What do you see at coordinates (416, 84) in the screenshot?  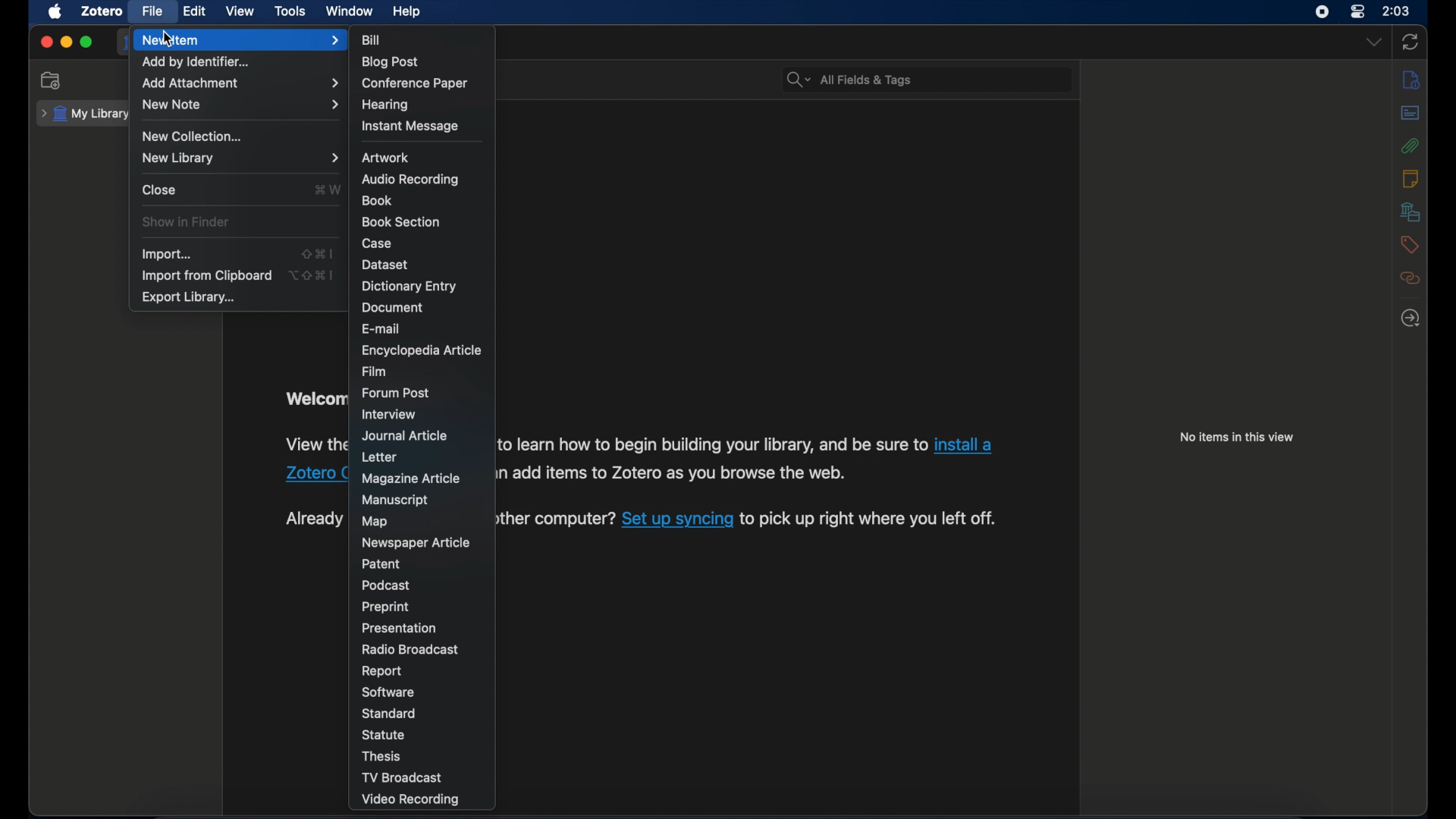 I see `conference paper` at bounding box center [416, 84].